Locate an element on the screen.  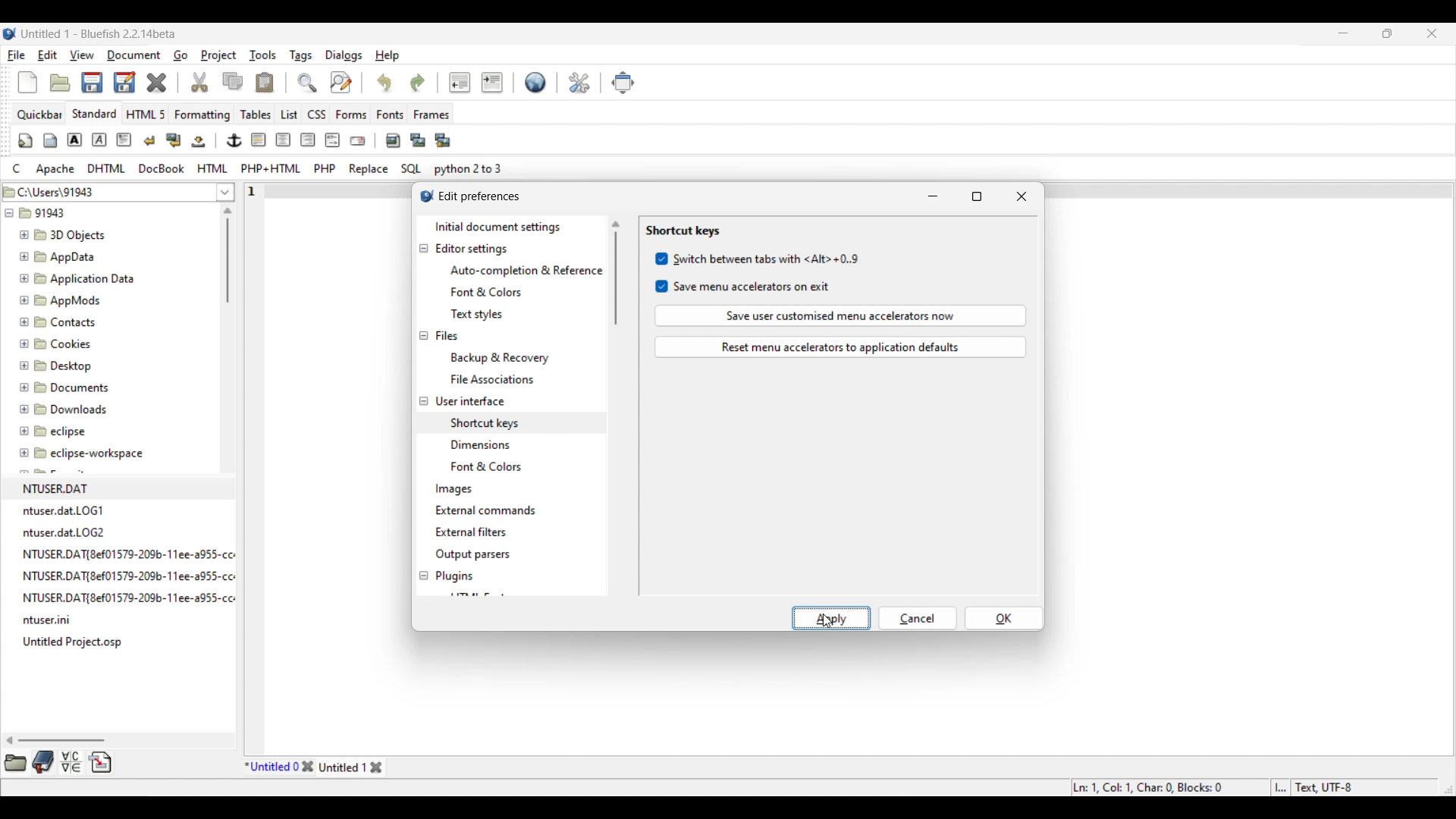
Tools menu is located at coordinates (263, 55).